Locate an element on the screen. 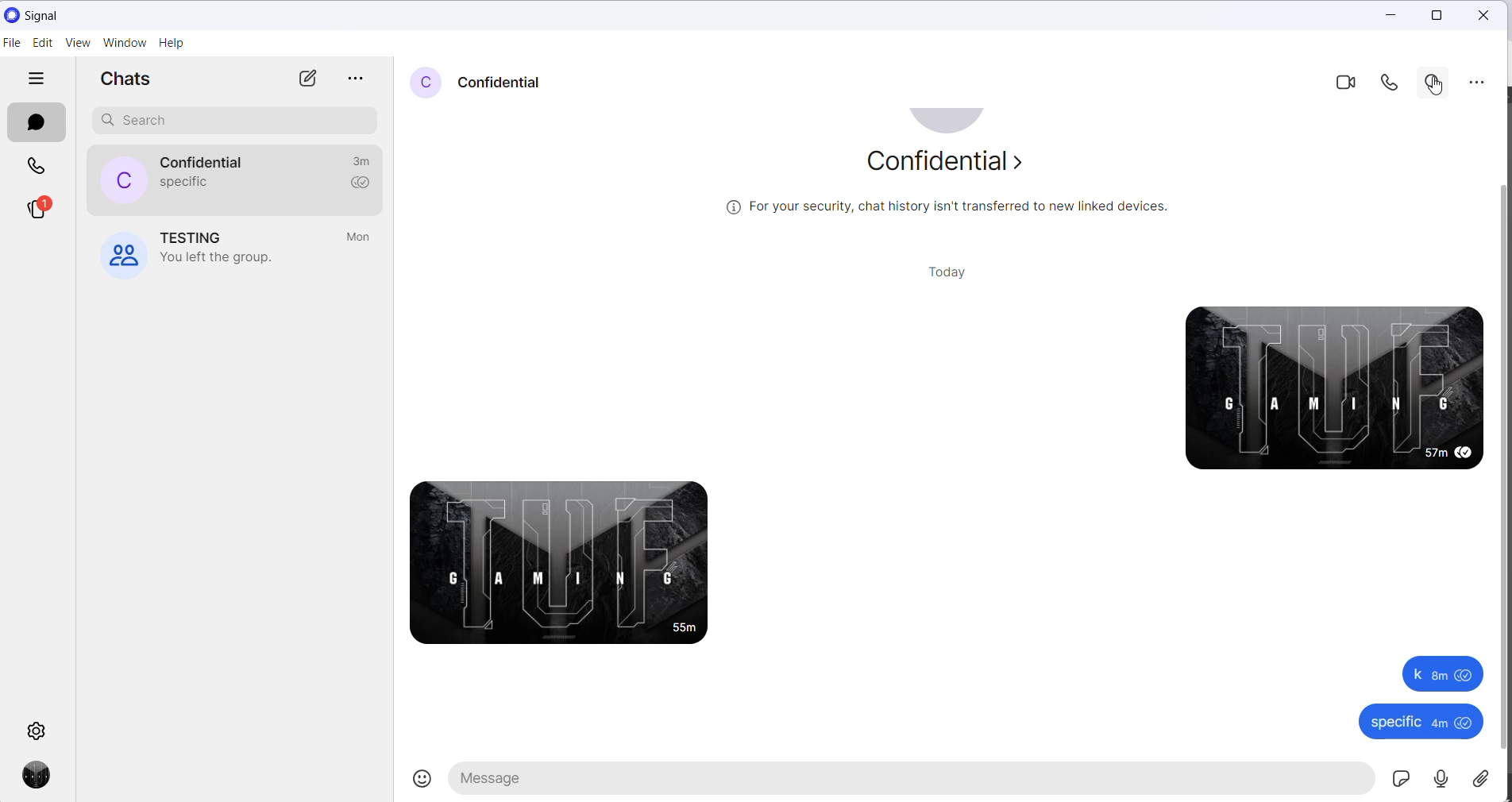 The width and height of the screenshot is (1512, 802). stories is located at coordinates (39, 210).